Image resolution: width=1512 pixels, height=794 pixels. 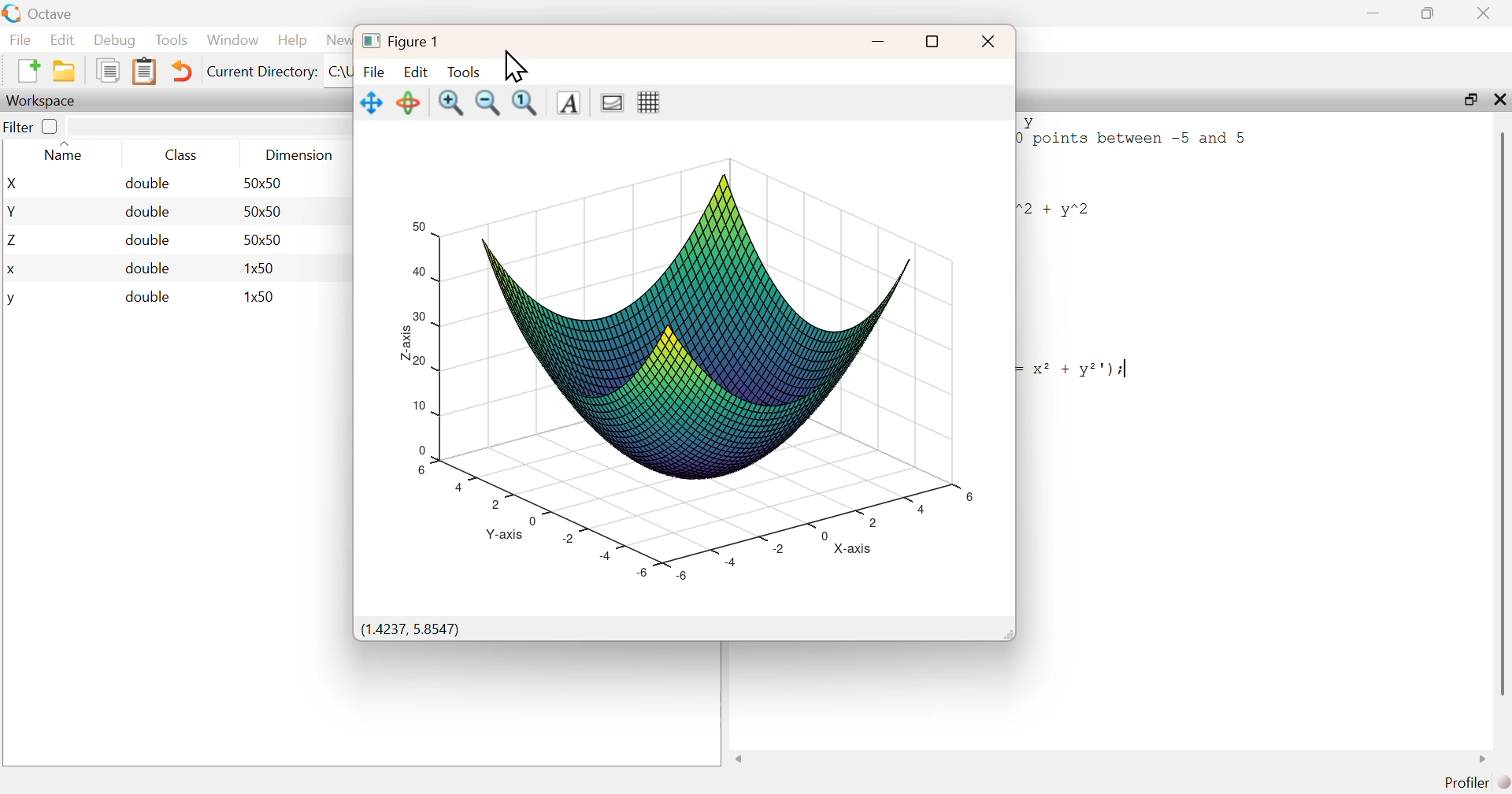 I want to click on x, so click(x=13, y=271).